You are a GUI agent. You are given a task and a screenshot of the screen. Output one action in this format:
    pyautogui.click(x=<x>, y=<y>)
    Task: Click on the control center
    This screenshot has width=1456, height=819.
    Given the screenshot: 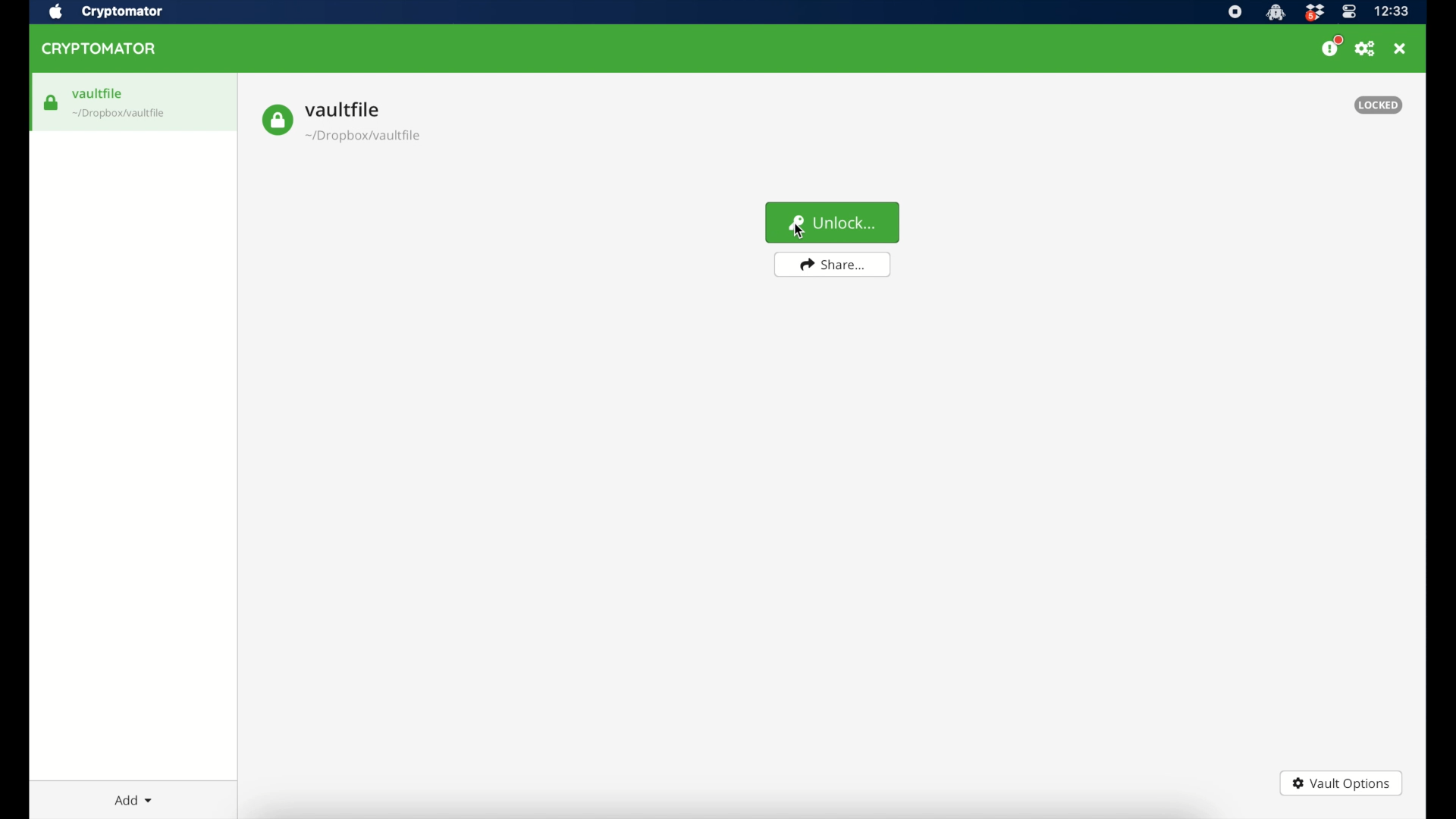 What is the action you would take?
    pyautogui.click(x=1348, y=11)
    